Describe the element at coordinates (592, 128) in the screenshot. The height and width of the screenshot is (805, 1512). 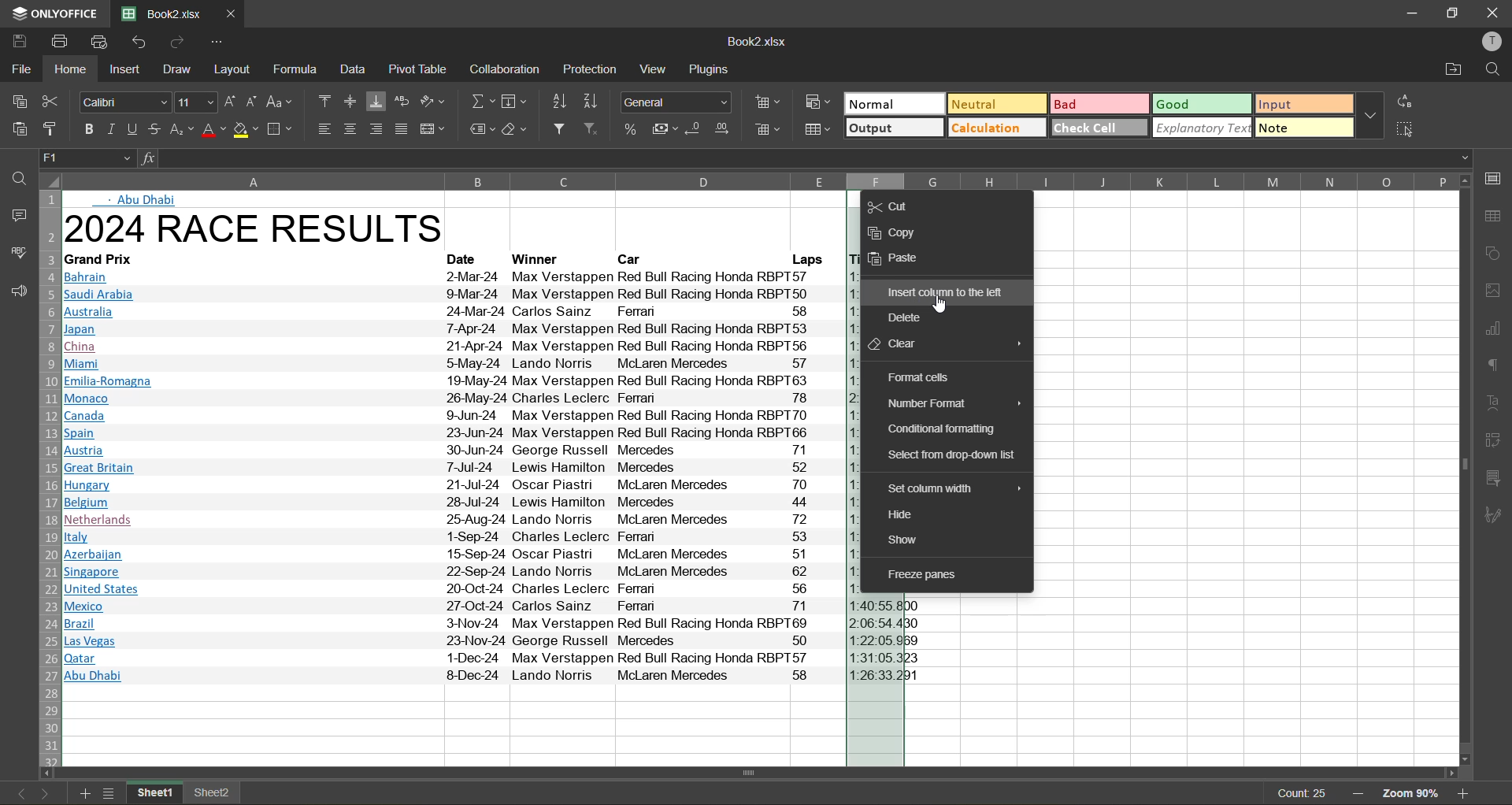
I see `clear filter` at that location.